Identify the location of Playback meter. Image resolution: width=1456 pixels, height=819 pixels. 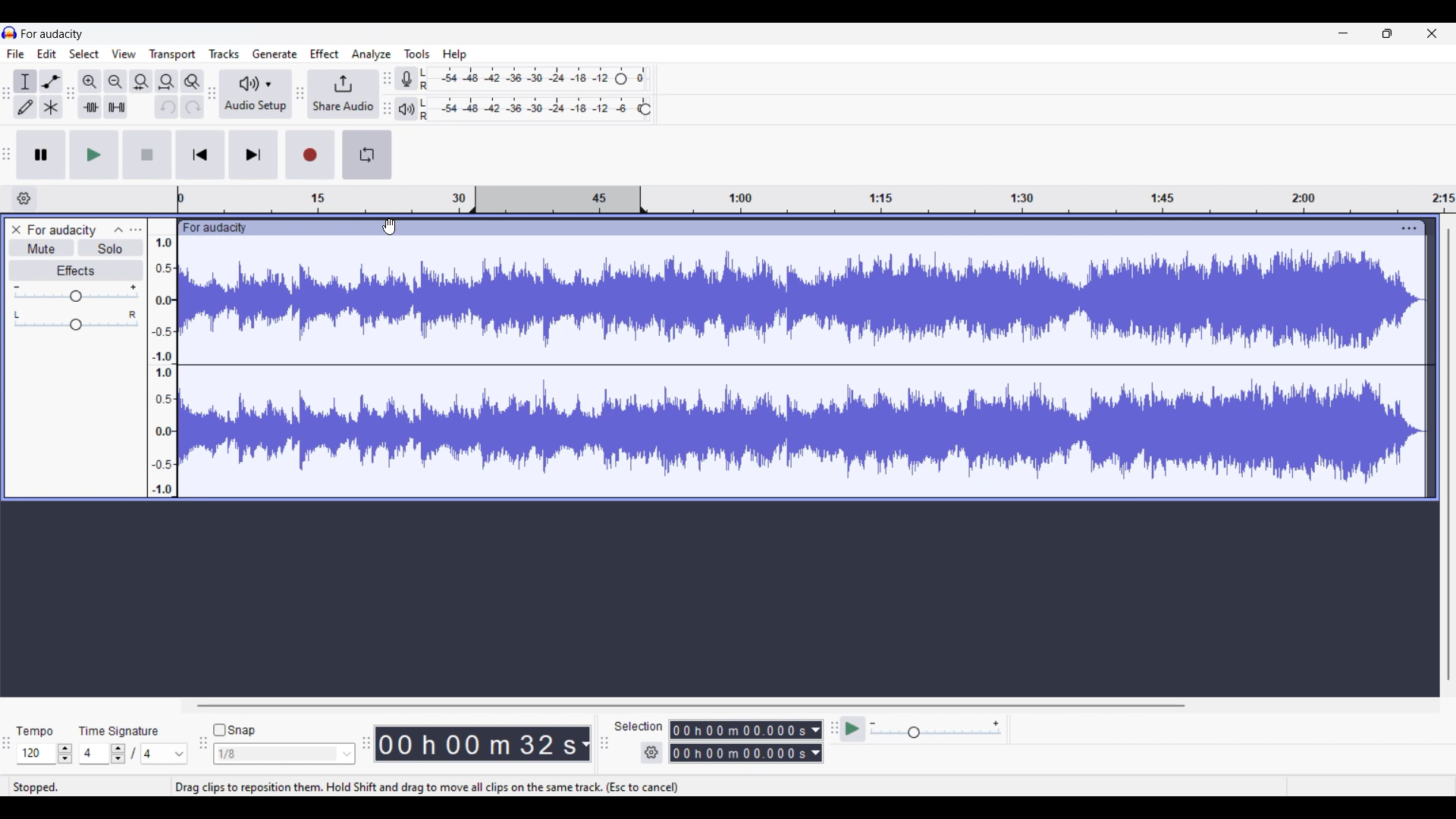
(406, 109).